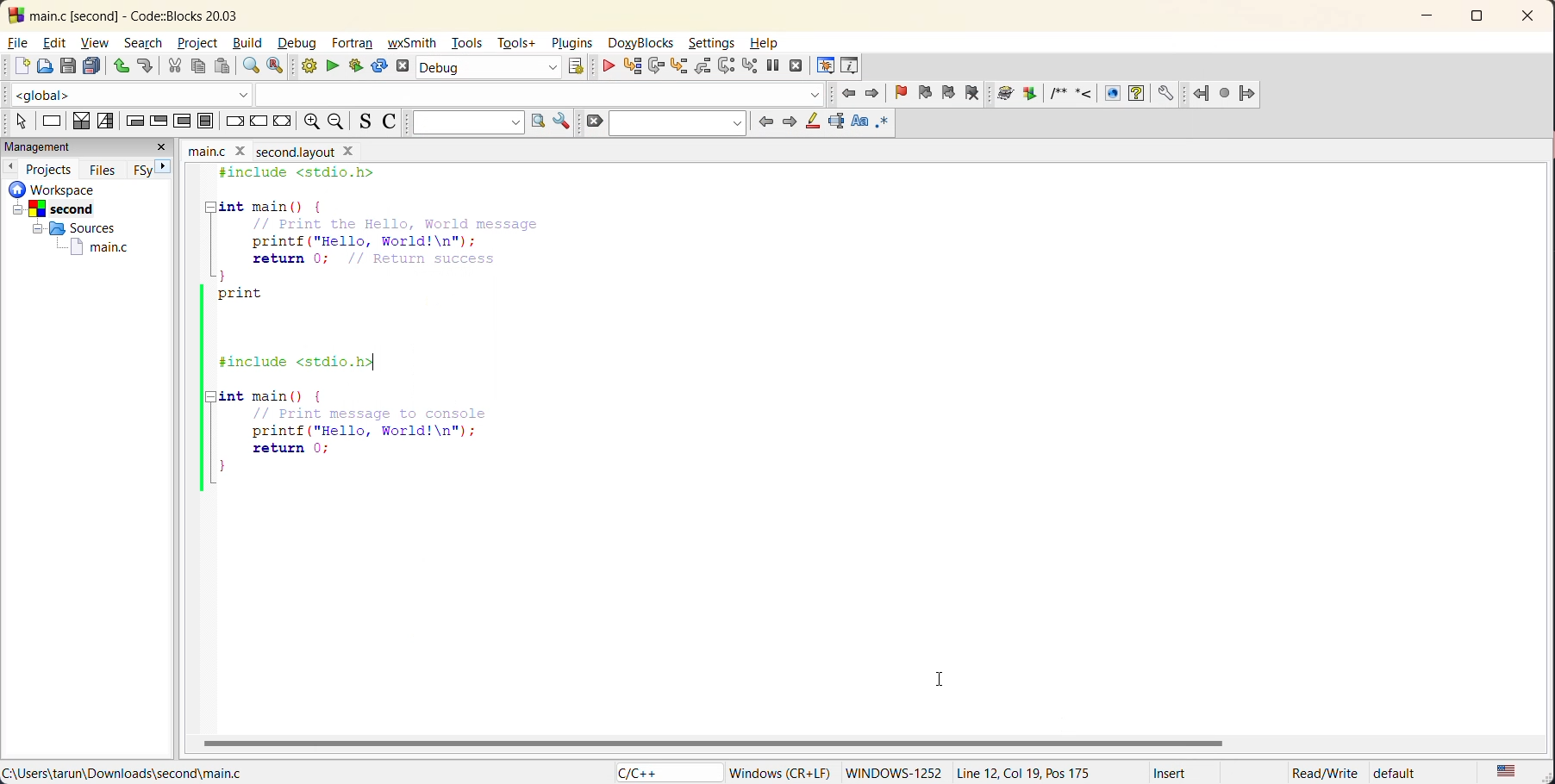 Image resolution: width=1555 pixels, height=784 pixels. I want to click on view, so click(97, 42).